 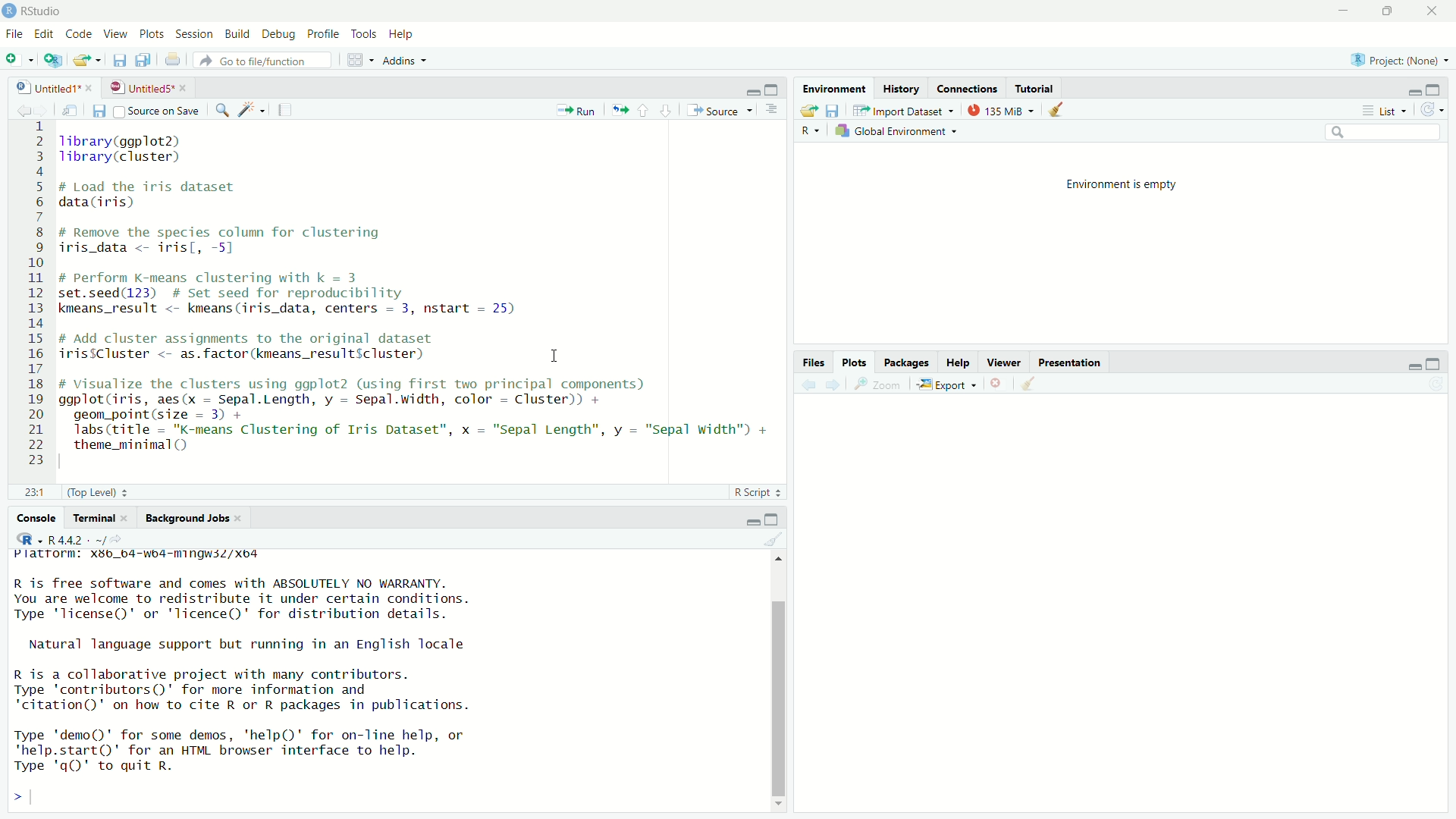 What do you see at coordinates (44, 35) in the screenshot?
I see `edit` at bounding box center [44, 35].